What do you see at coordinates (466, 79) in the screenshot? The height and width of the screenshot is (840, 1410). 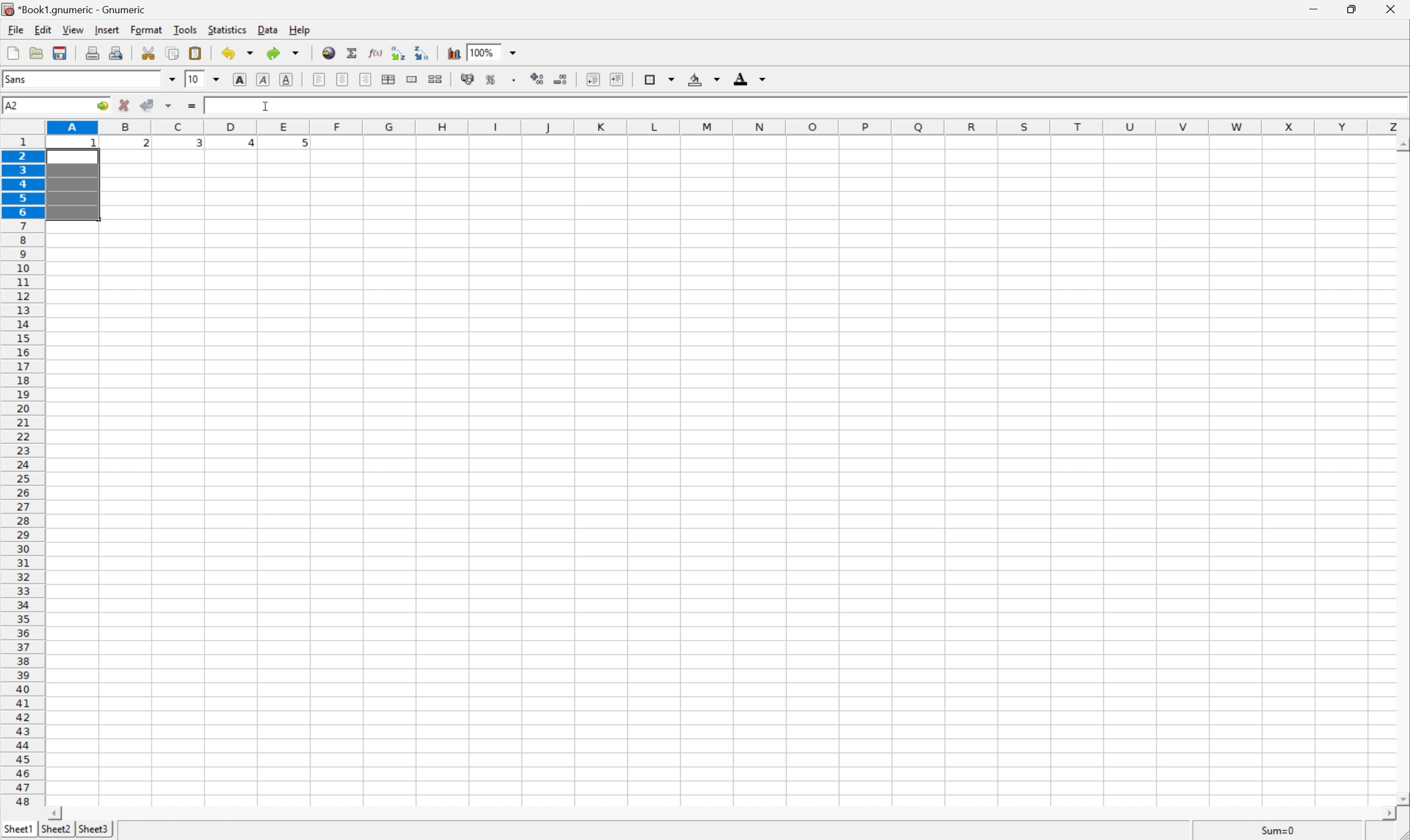 I see `format selection as accounting` at bounding box center [466, 79].